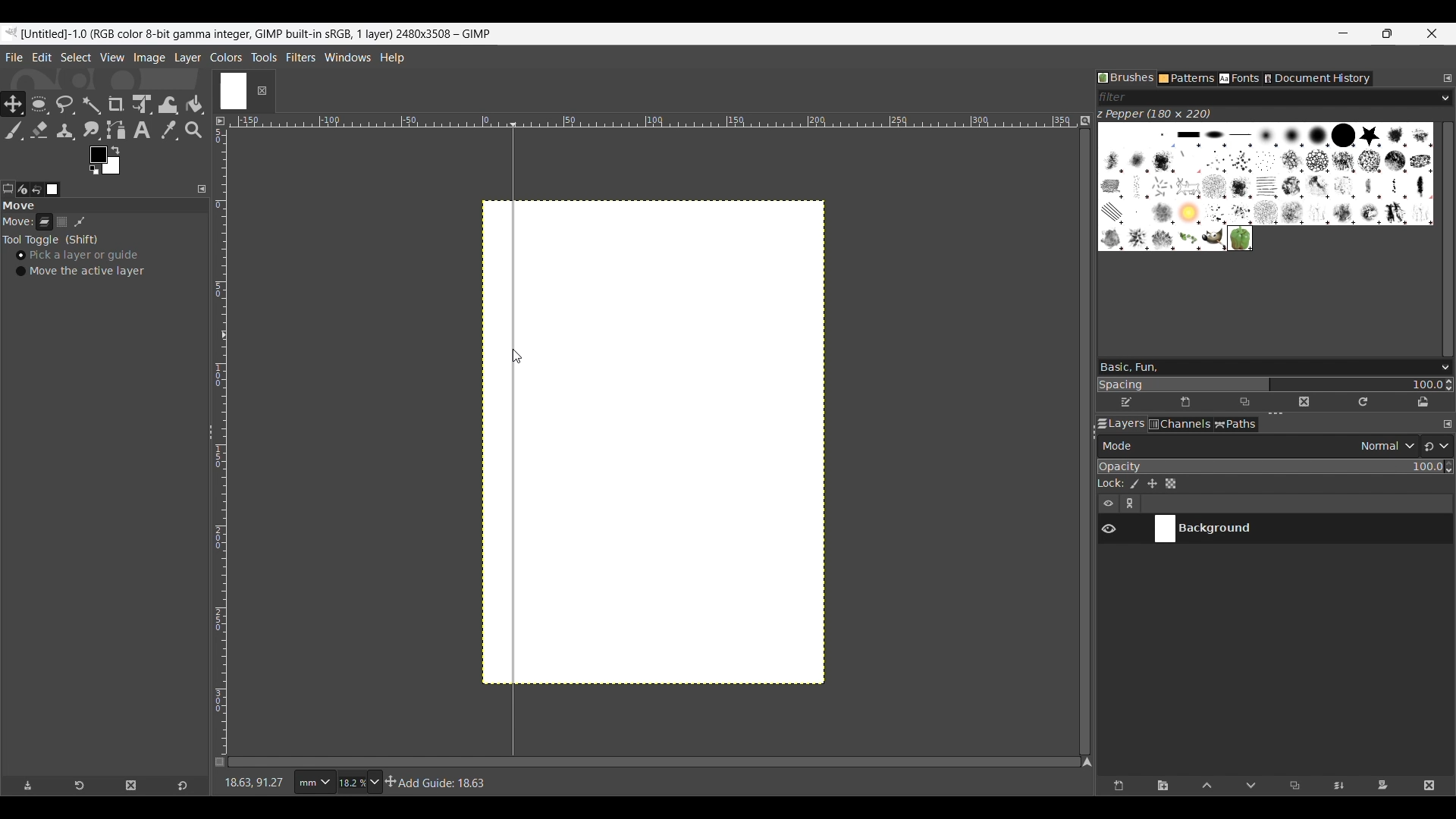 The width and height of the screenshot is (1456, 819). Describe the element at coordinates (182, 786) in the screenshot. I see `Reset to default values` at that location.